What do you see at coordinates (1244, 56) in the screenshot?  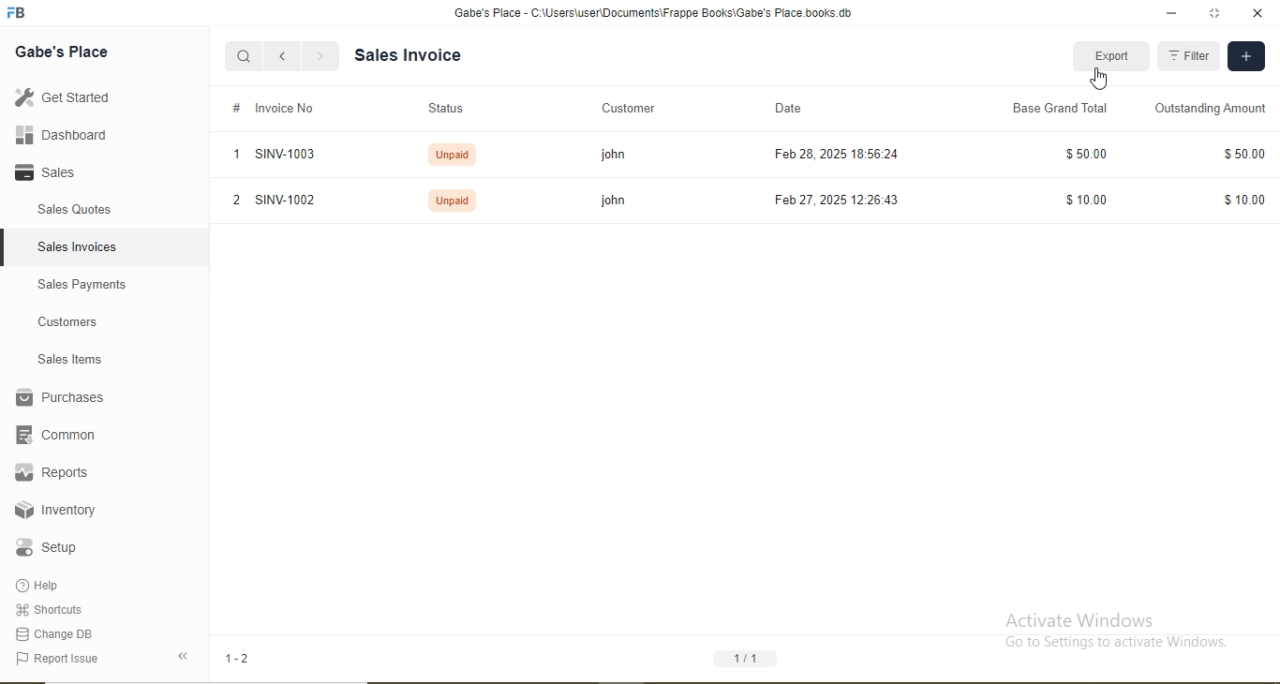 I see `add` at bounding box center [1244, 56].